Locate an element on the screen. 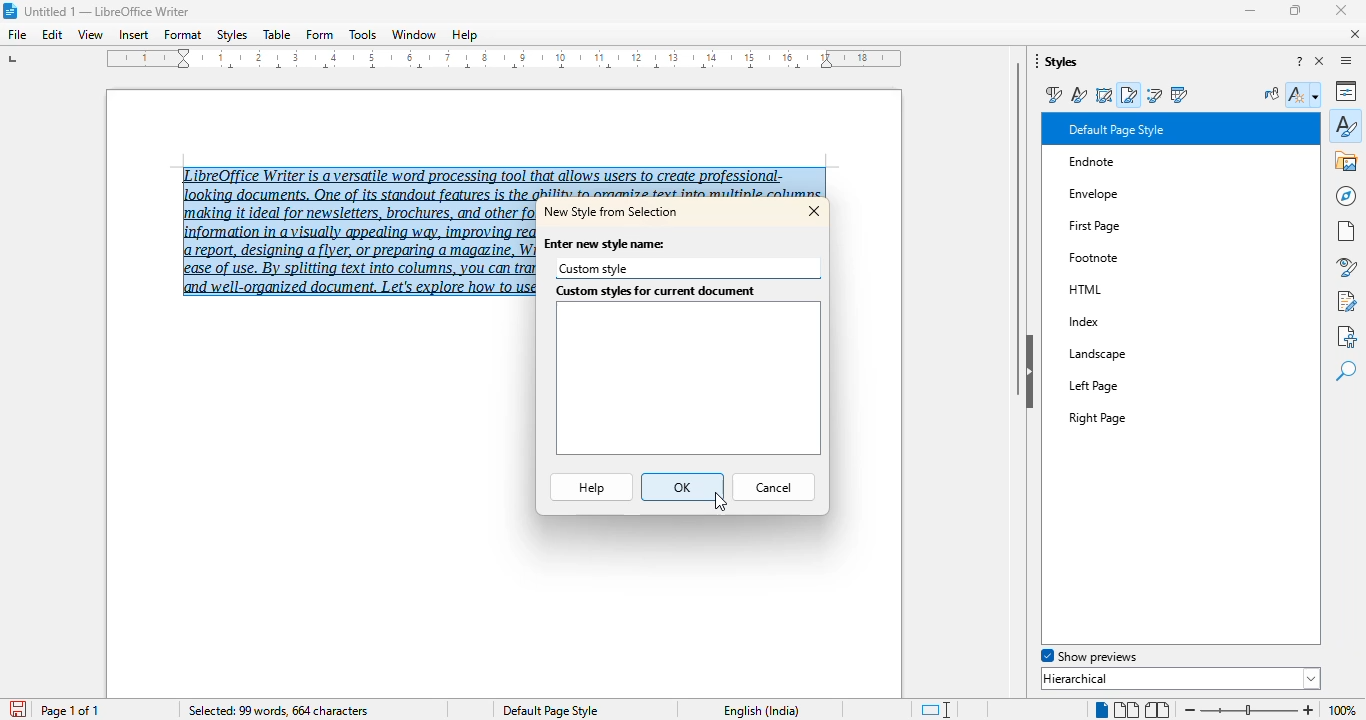 The image size is (1366, 720). help about this sidebar deck is located at coordinates (1300, 62).